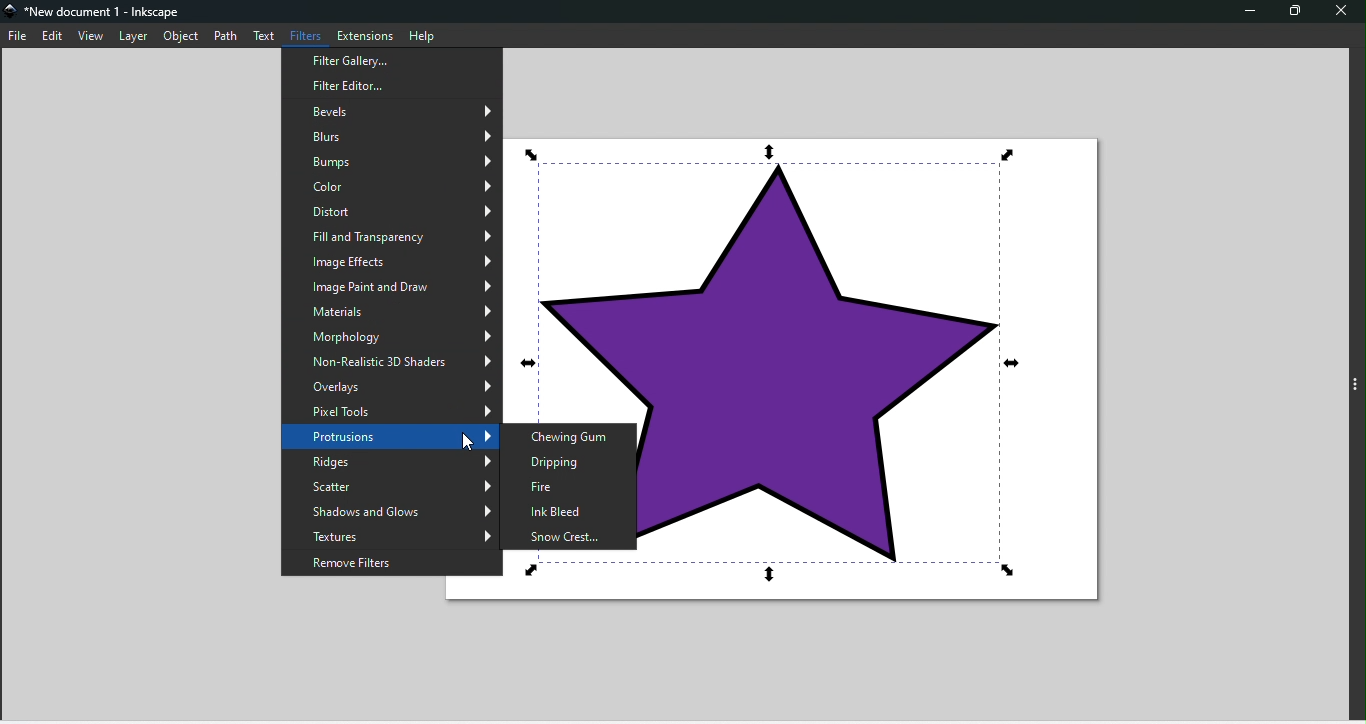  What do you see at coordinates (566, 534) in the screenshot?
I see `Snow Crest` at bounding box center [566, 534].